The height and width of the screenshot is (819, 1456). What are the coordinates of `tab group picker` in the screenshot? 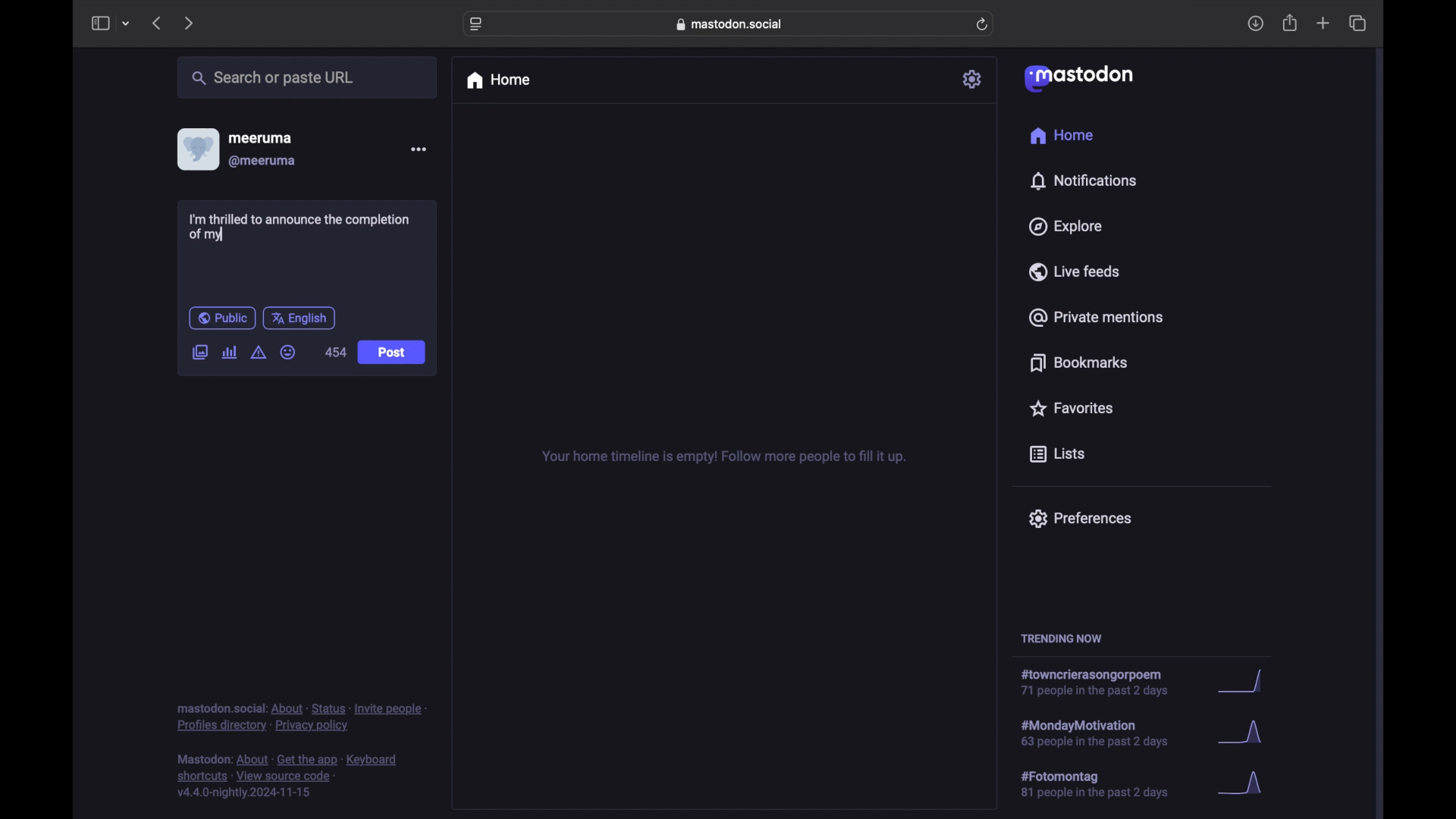 It's located at (127, 23).